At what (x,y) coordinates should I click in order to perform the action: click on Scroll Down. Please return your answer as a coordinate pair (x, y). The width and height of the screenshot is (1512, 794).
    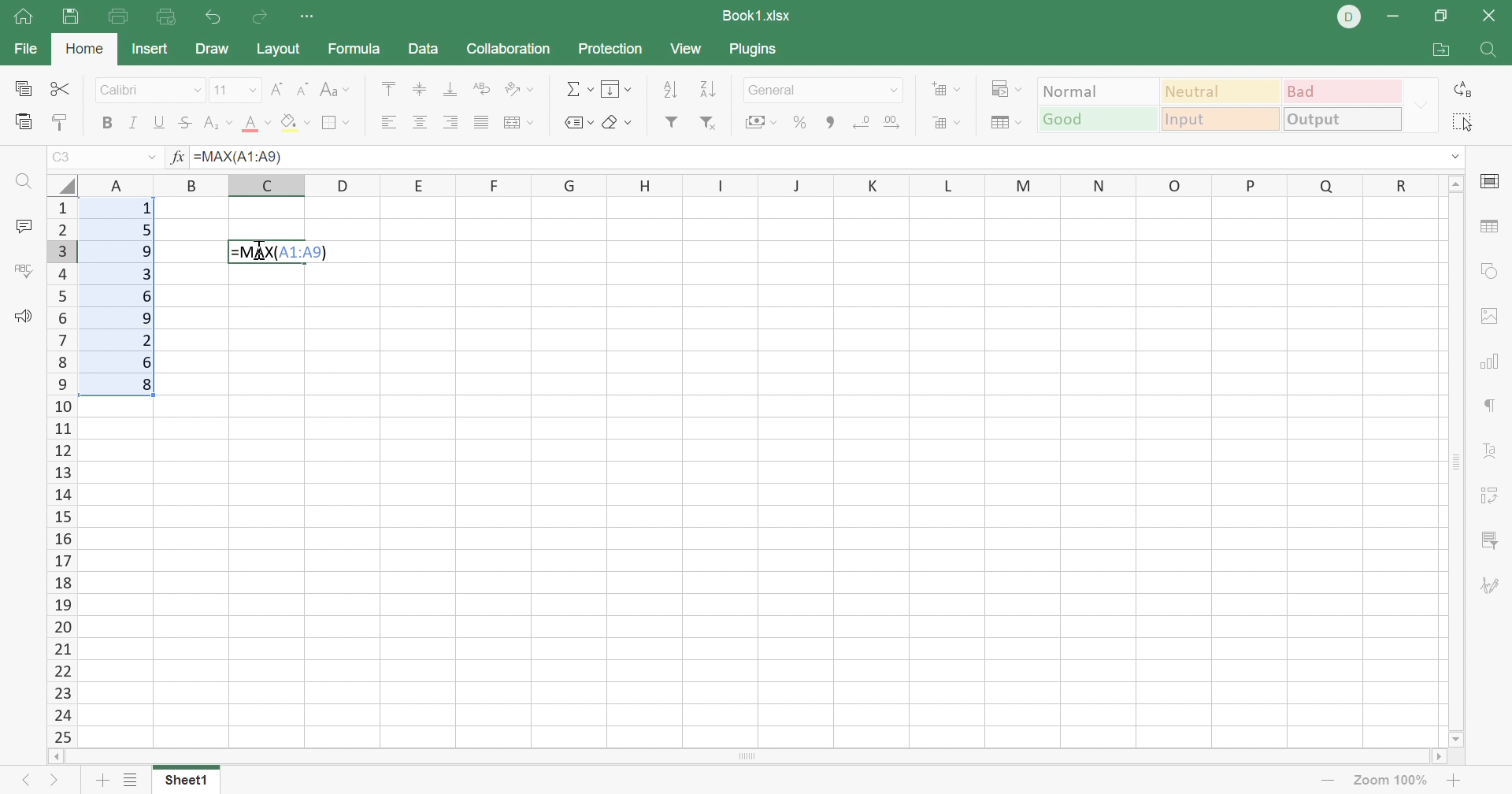
    Looking at the image, I should click on (1455, 739).